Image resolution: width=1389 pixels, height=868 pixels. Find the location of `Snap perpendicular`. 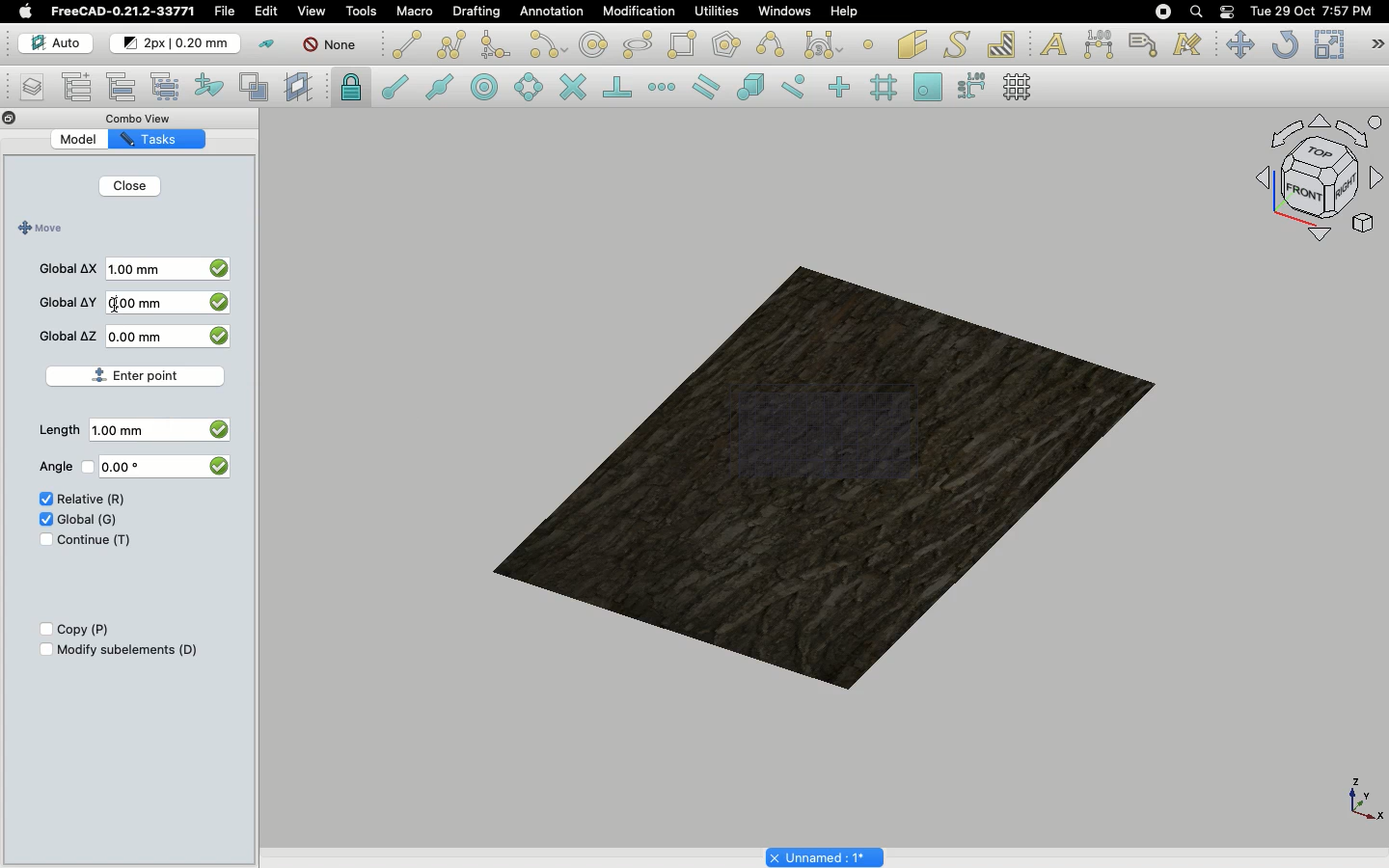

Snap perpendicular is located at coordinates (620, 89).